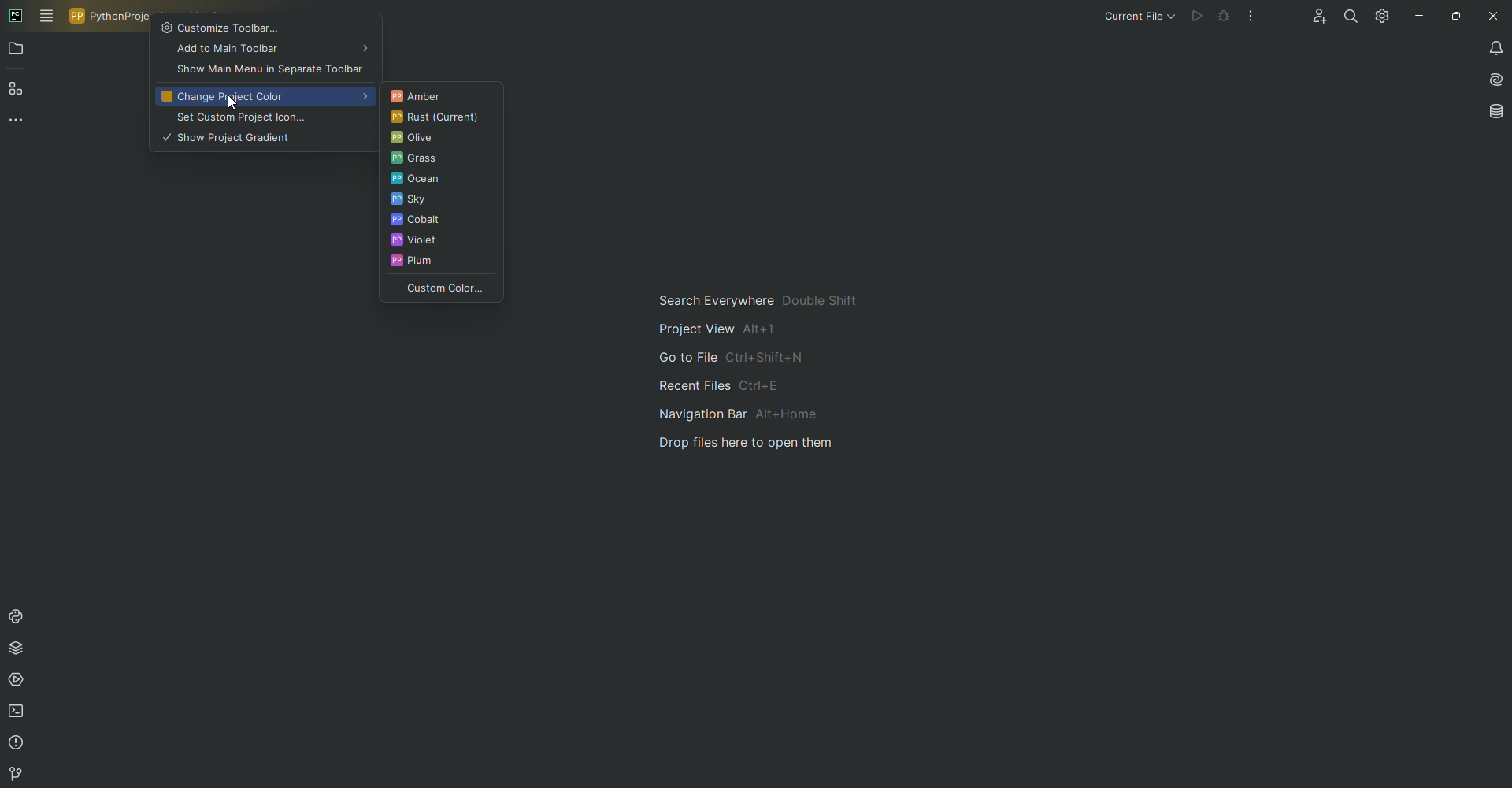 This screenshot has height=788, width=1512. What do you see at coordinates (443, 180) in the screenshot?
I see `Ocean` at bounding box center [443, 180].